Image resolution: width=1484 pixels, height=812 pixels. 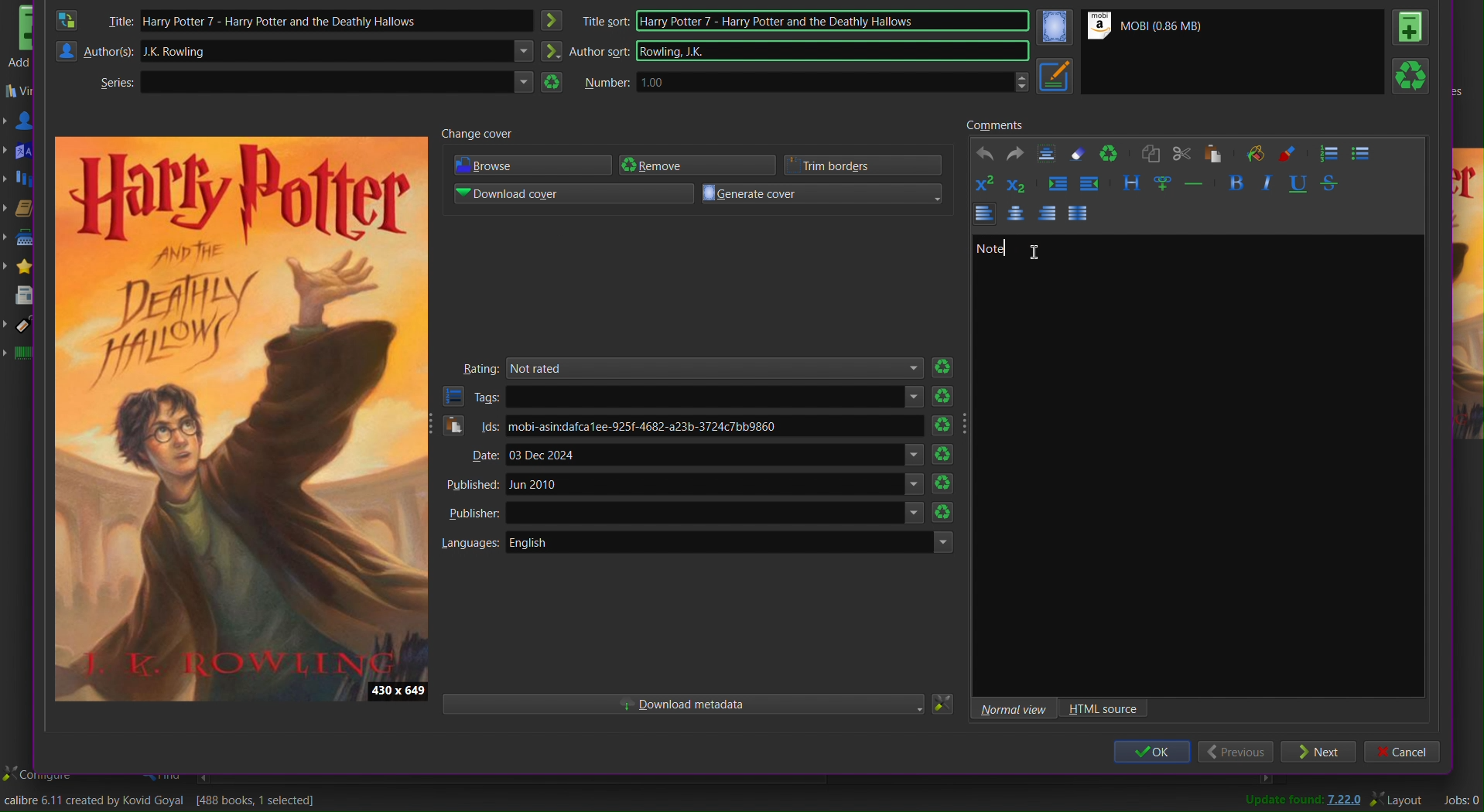 I want to click on Left Align, so click(x=983, y=213).